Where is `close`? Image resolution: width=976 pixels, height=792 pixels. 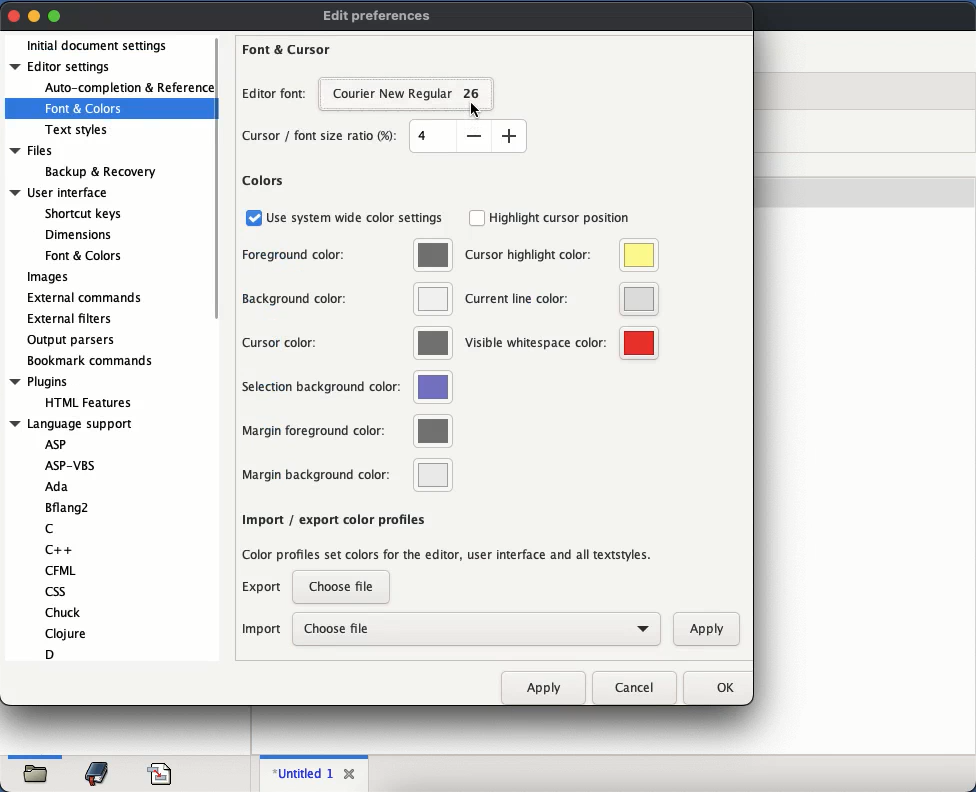
close is located at coordinates (353, 774).